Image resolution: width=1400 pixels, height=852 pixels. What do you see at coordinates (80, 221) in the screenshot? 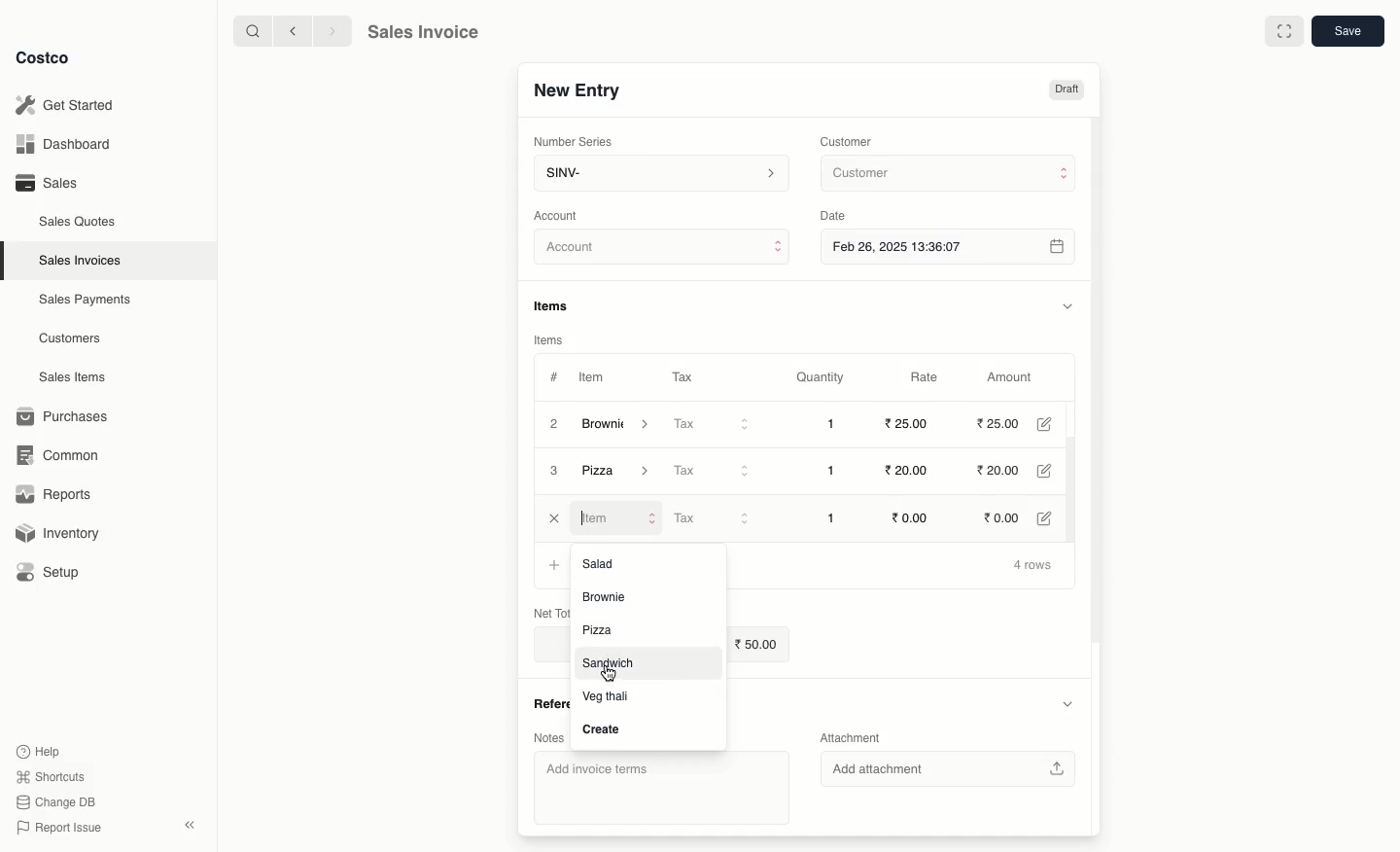
I see `Sales Quotes` at bounding box center [80, 221].